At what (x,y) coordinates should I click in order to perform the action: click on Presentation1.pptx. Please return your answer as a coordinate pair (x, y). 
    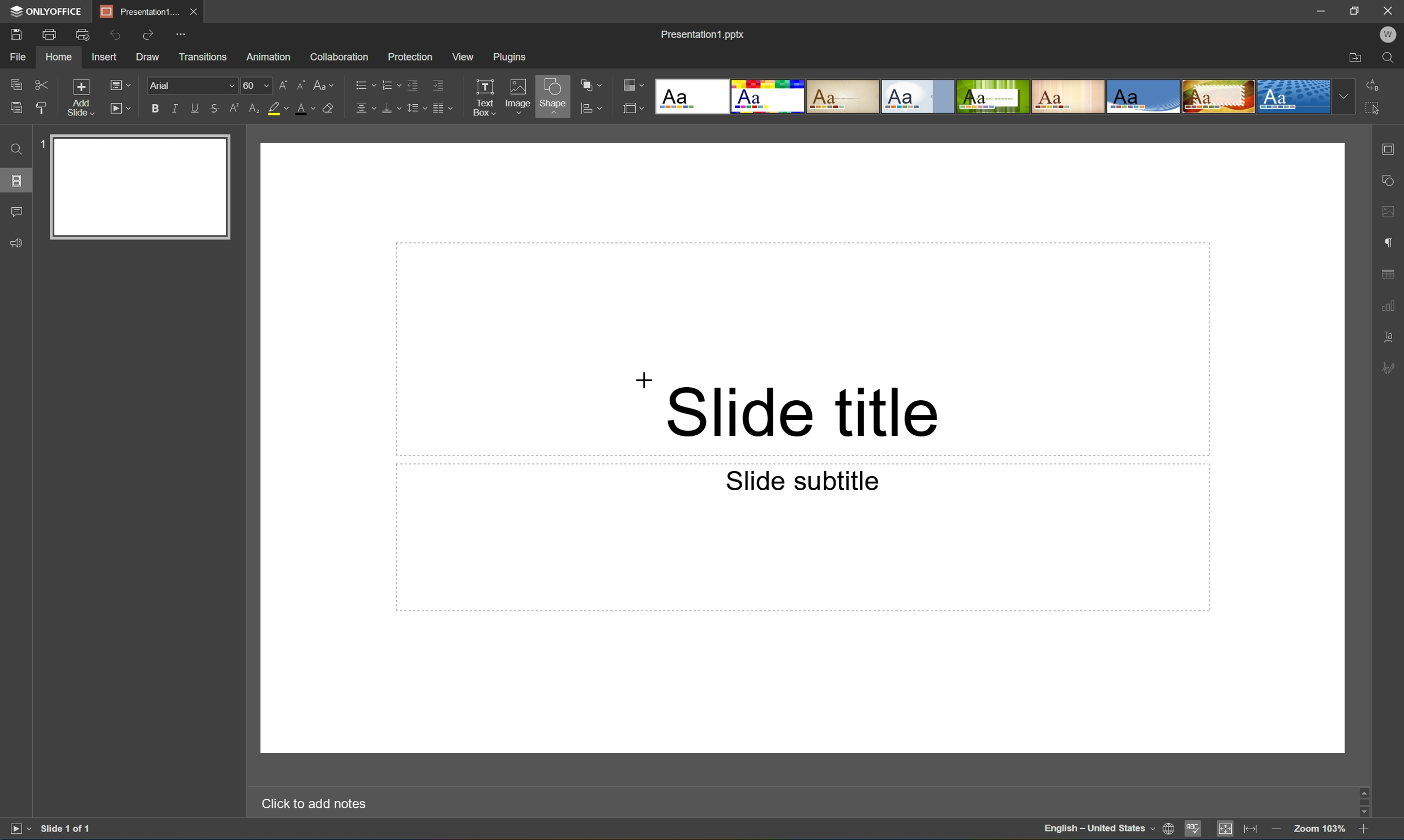
    Looking at the image, I should click on (702, 37).